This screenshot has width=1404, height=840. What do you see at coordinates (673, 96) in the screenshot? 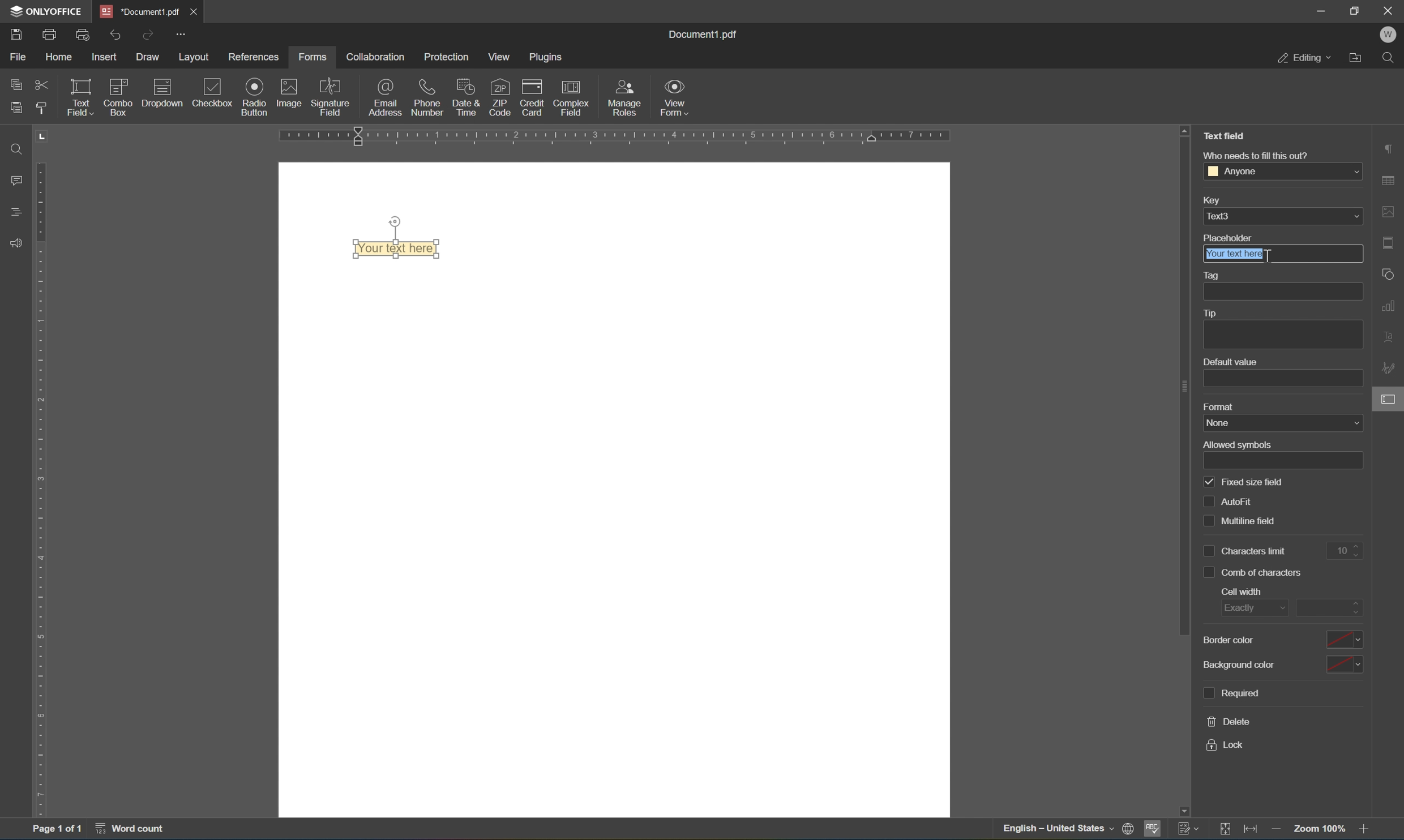
I see `view form` at bounding box center [673, 96].